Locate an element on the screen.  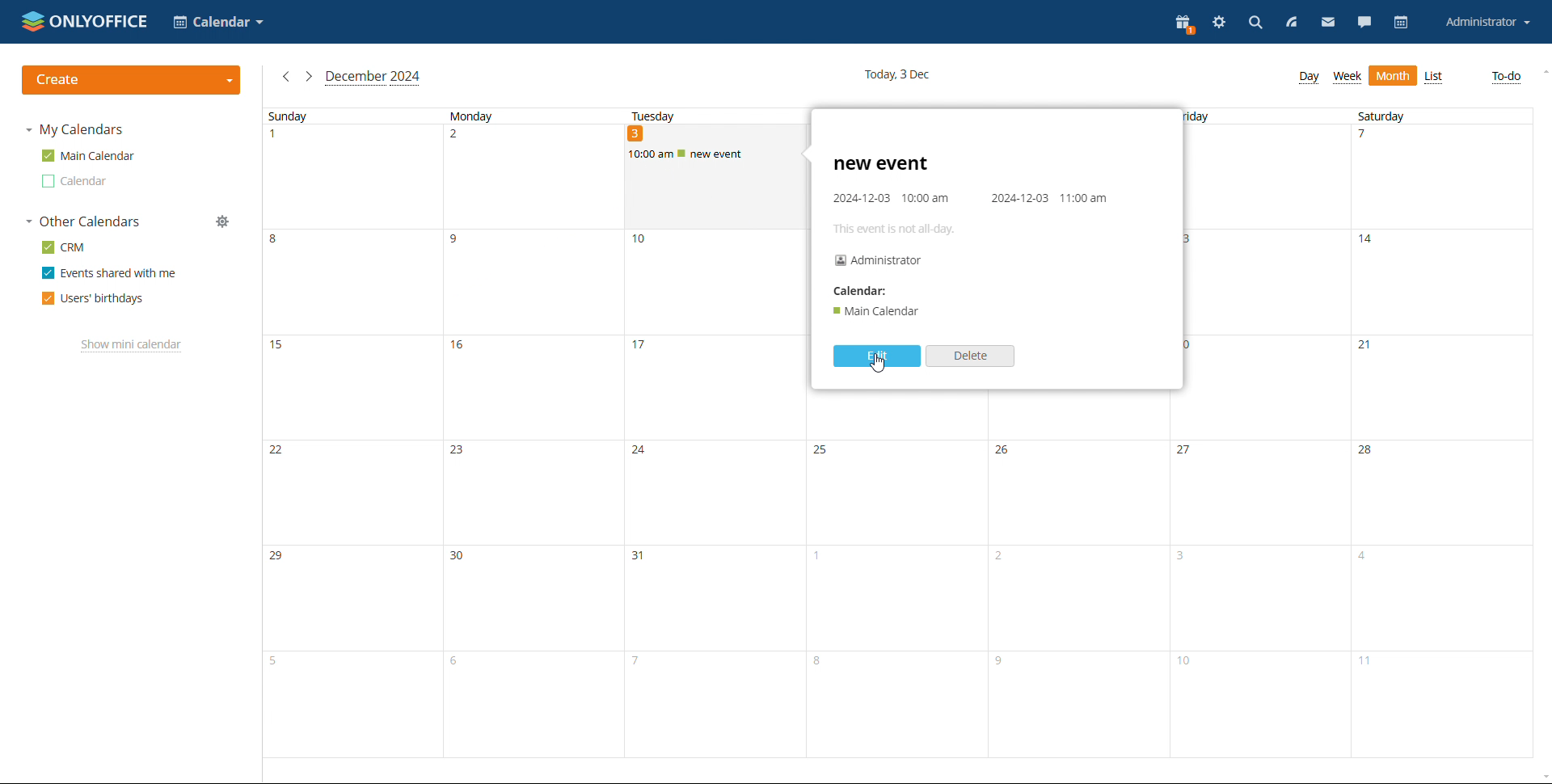
29 is located at coordinates (352, 599).